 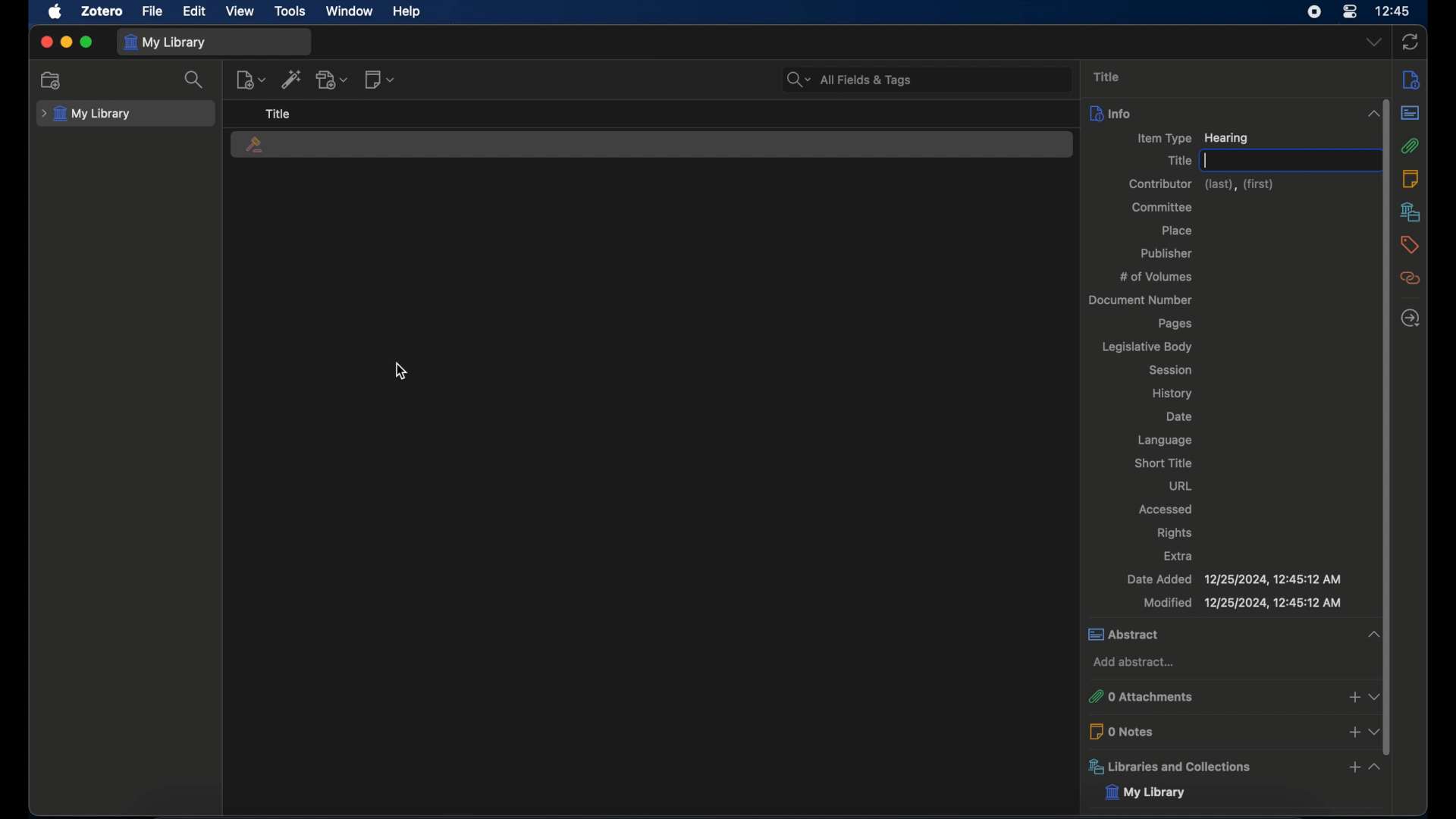 What do you see at coordinates (408, 12) in the screenshot?
I see `help` at bounding box center [408, 12].